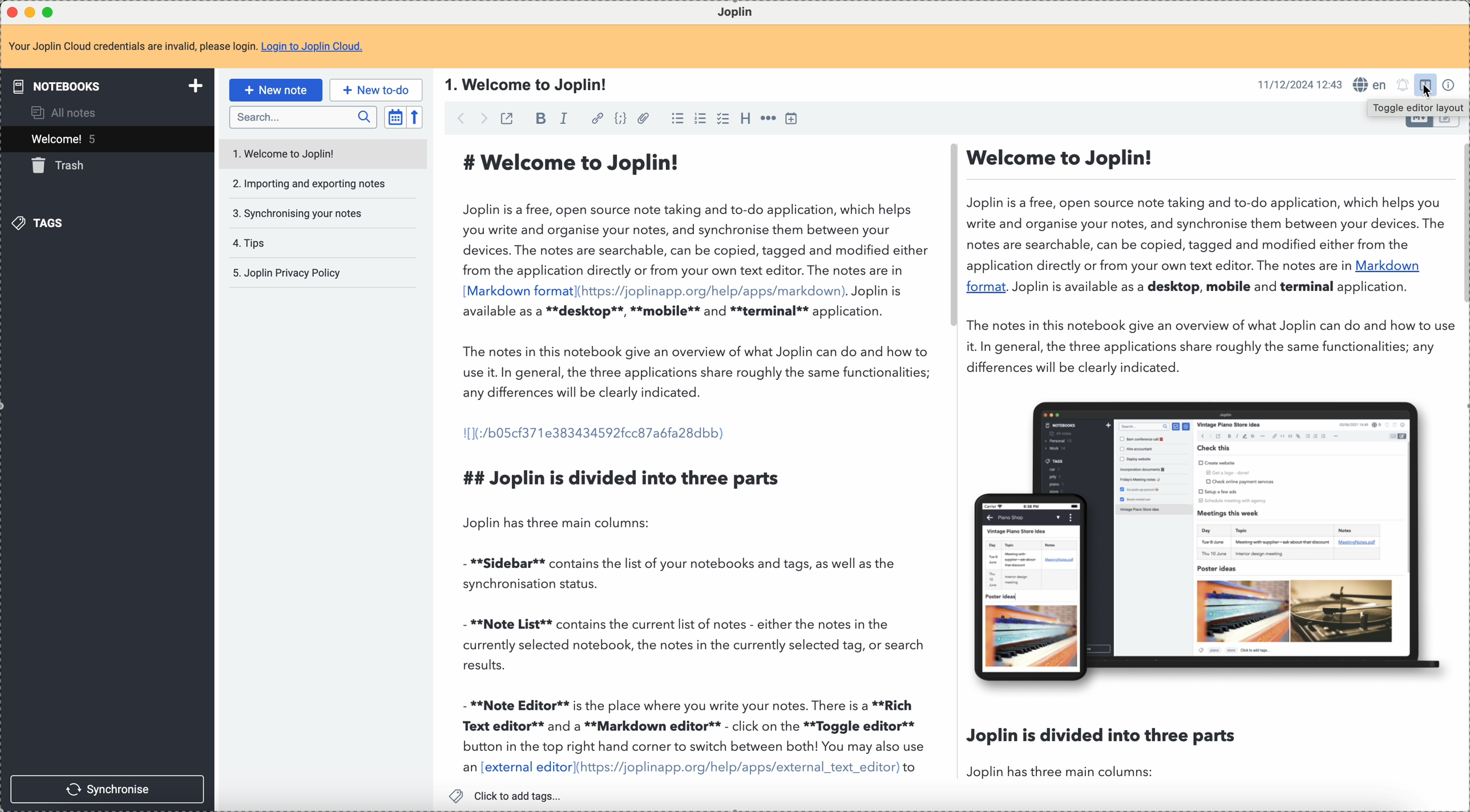 This screenshot has width=1470, height=812. I want to click on code, so click(622, 119).